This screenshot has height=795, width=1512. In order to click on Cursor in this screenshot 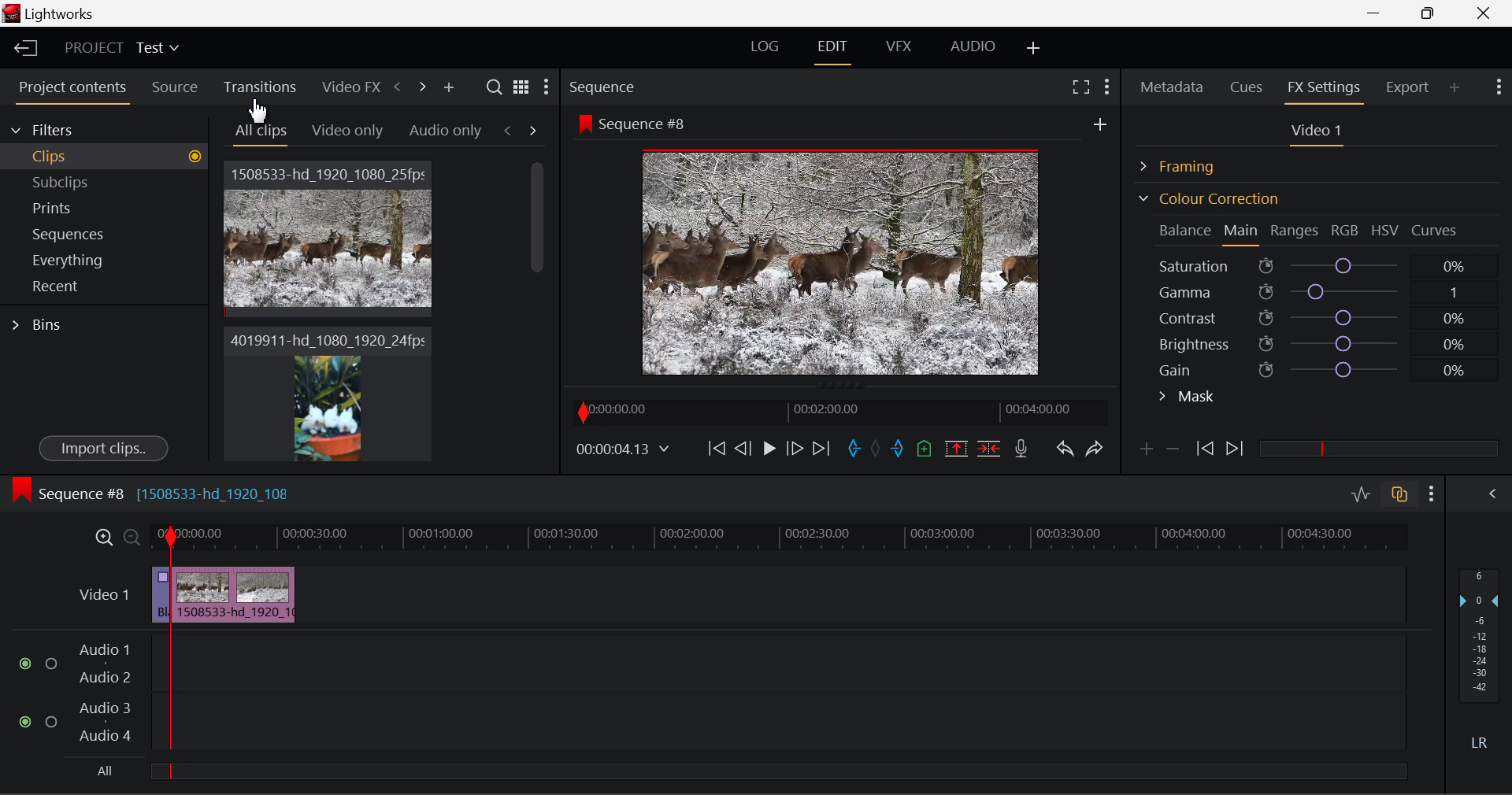, I will do `click(263, 111)`.